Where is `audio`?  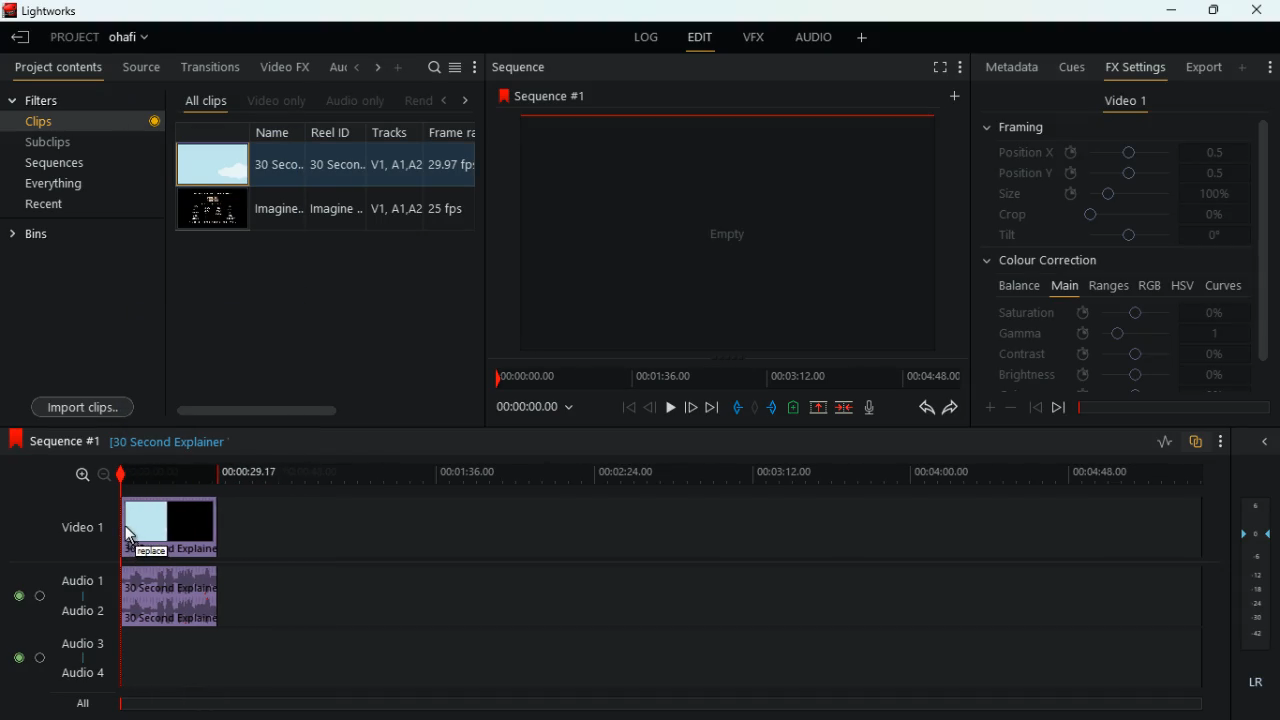
audio is located at coordinates (812, 39).